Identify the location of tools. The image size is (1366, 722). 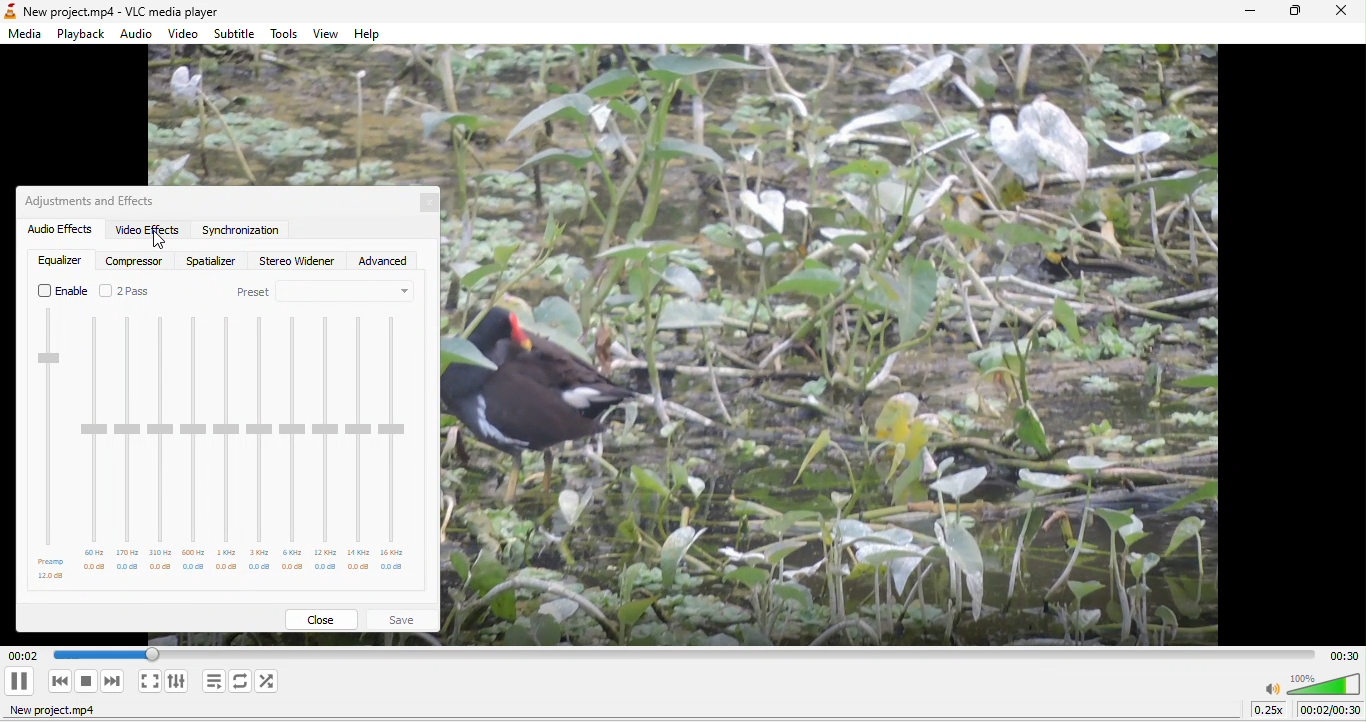
(286, 35).